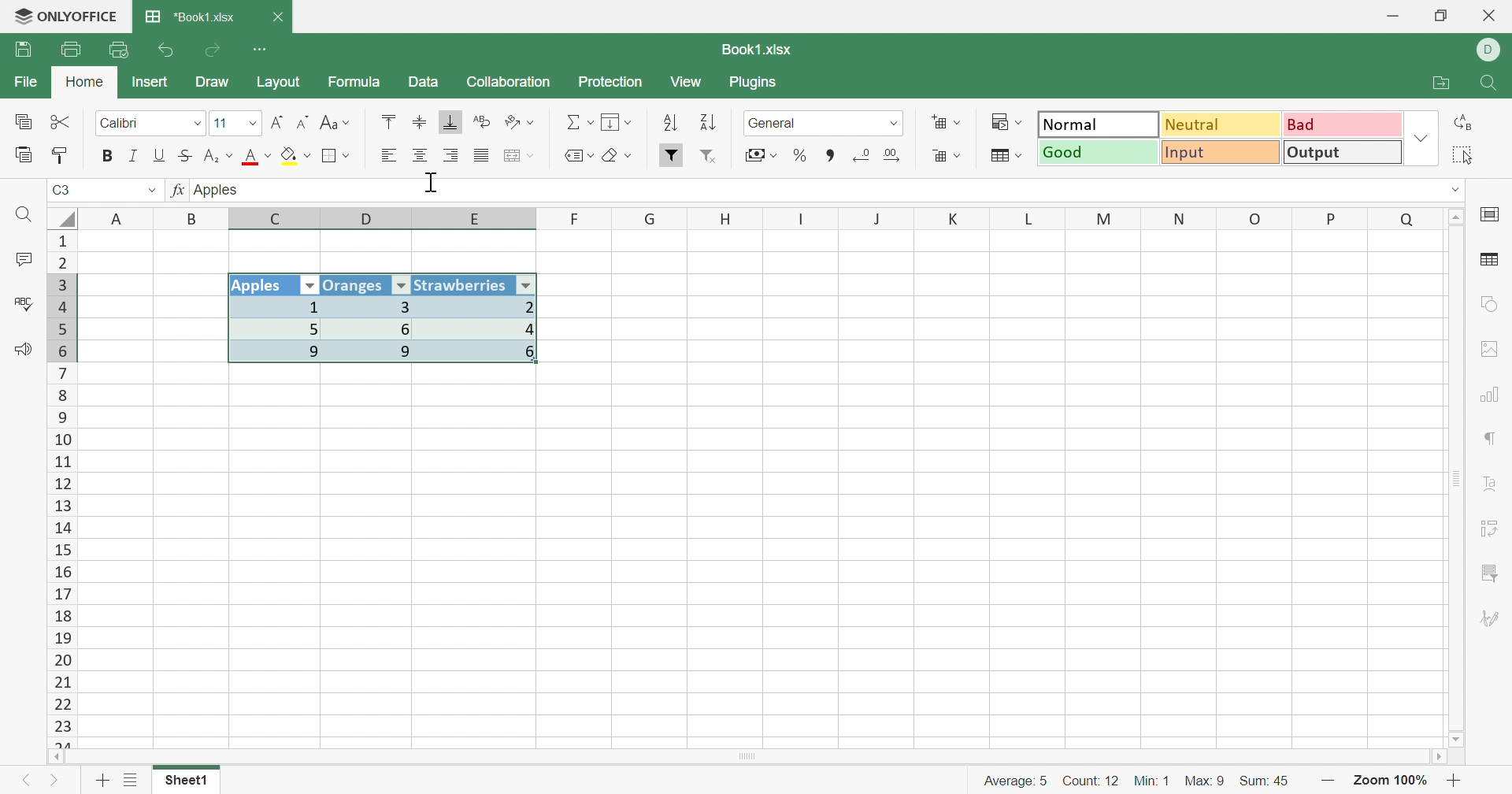 The height and width of the screenshot is (794, 1512). I want to click on Open file location, so click(1445, 83).